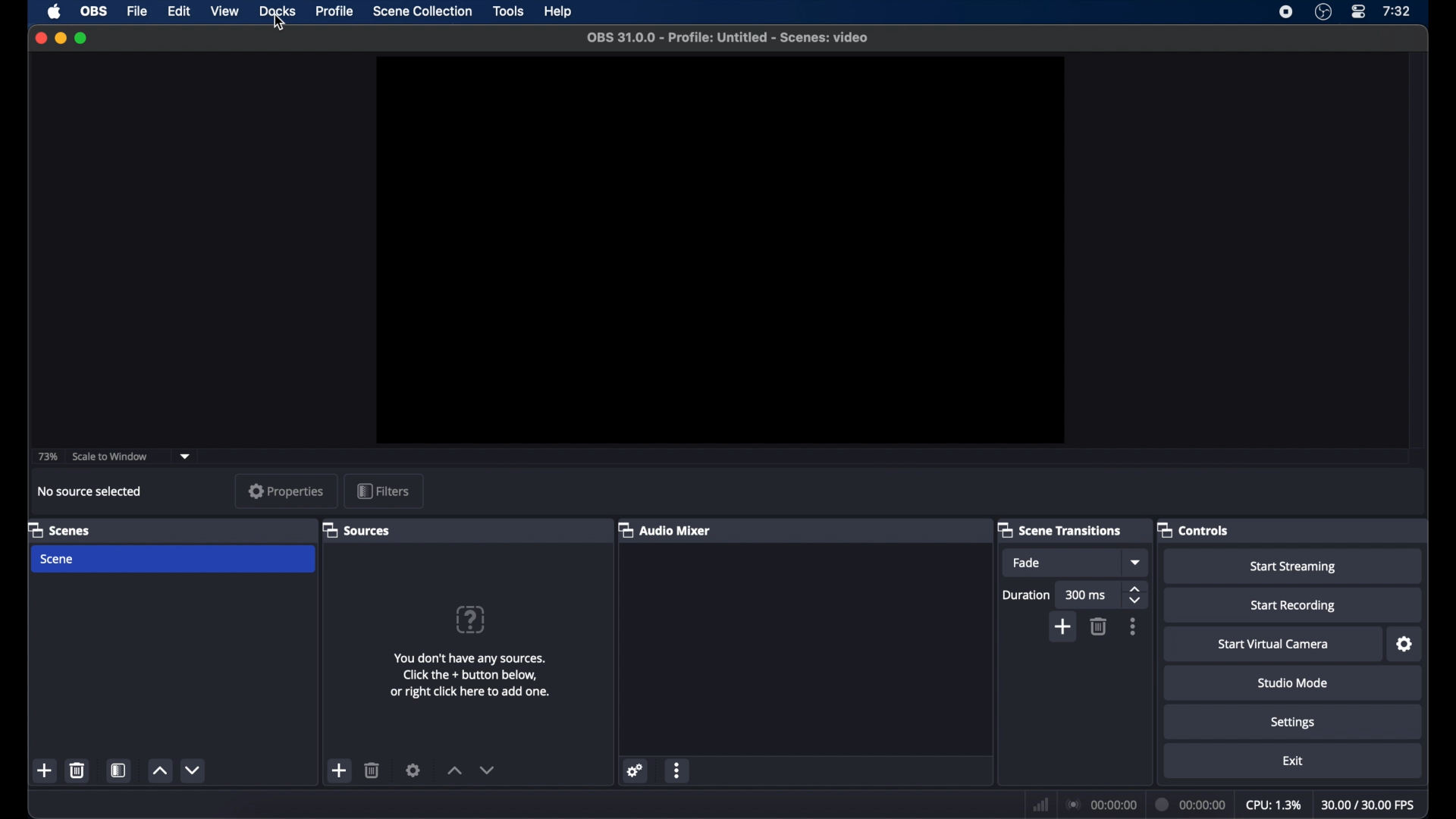 Image resolution: width=1456 pixels, height=819 pixels. I want to click on minimize, so click(60, 37).